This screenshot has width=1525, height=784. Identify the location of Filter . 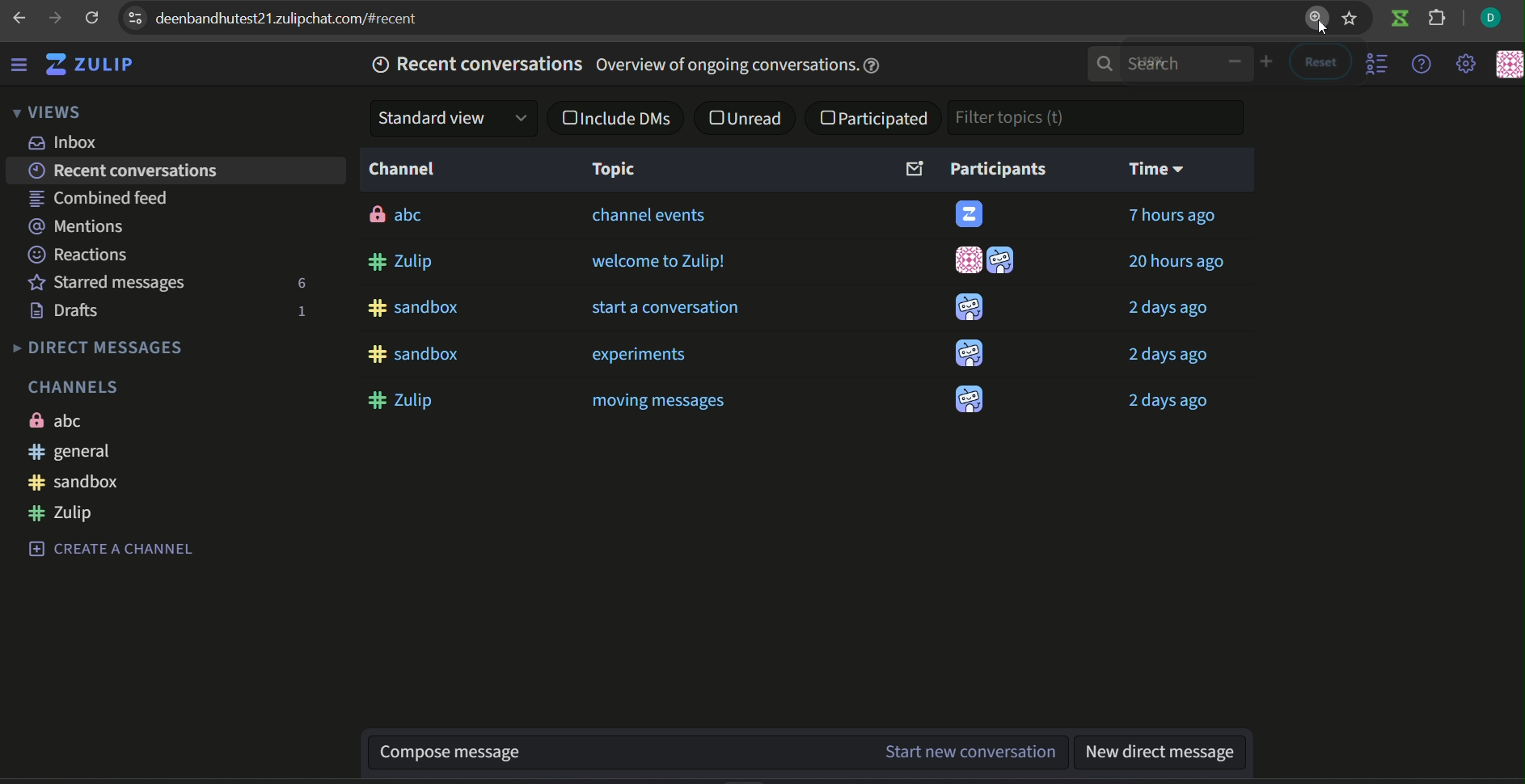
(1023, 117).